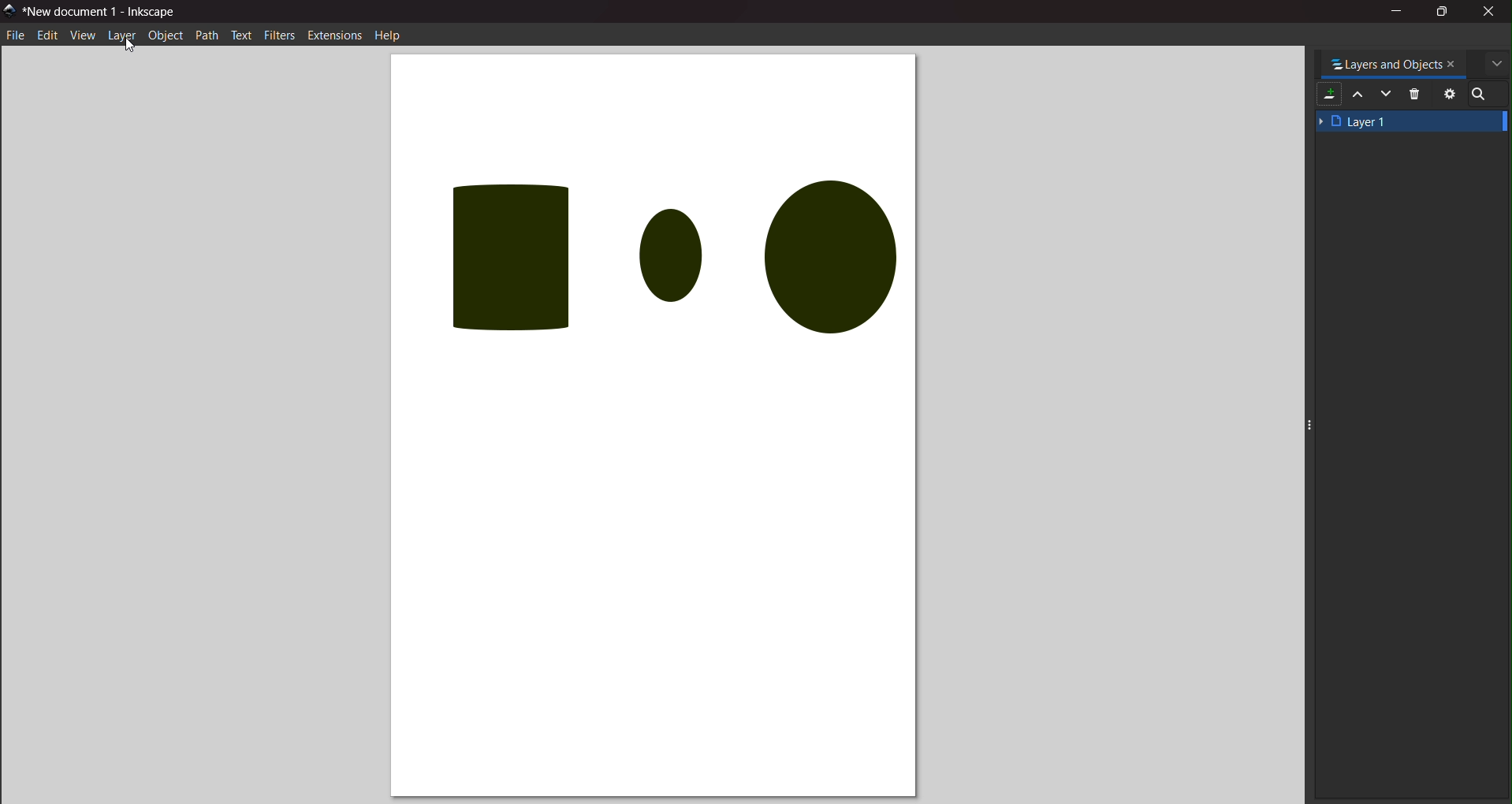 The image size is (1512, 804). What do you see at coordinates (1397, 13) in the screenshot?
I see `minimize` at bounding box center [1397, 13].